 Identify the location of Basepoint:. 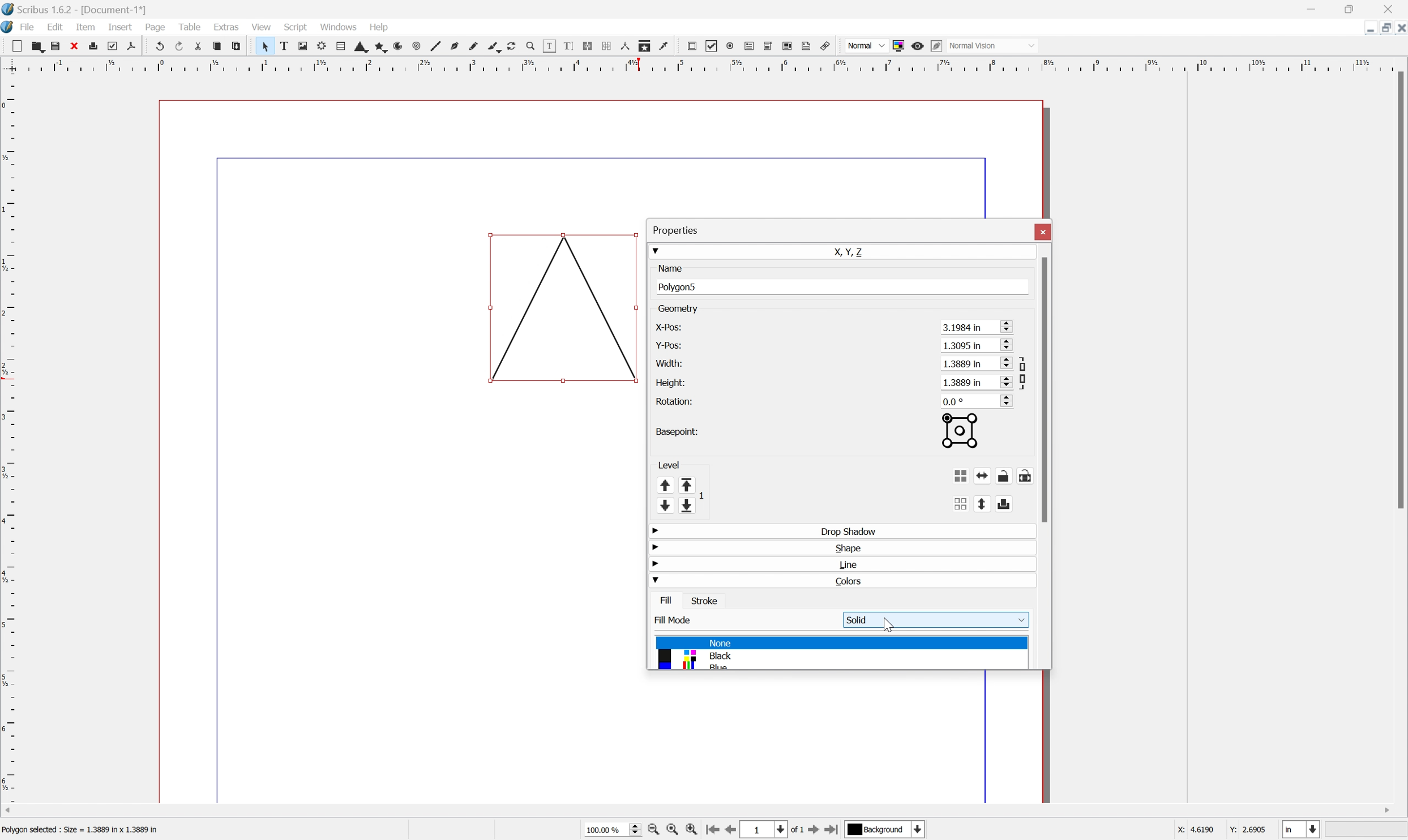
(675, 431).